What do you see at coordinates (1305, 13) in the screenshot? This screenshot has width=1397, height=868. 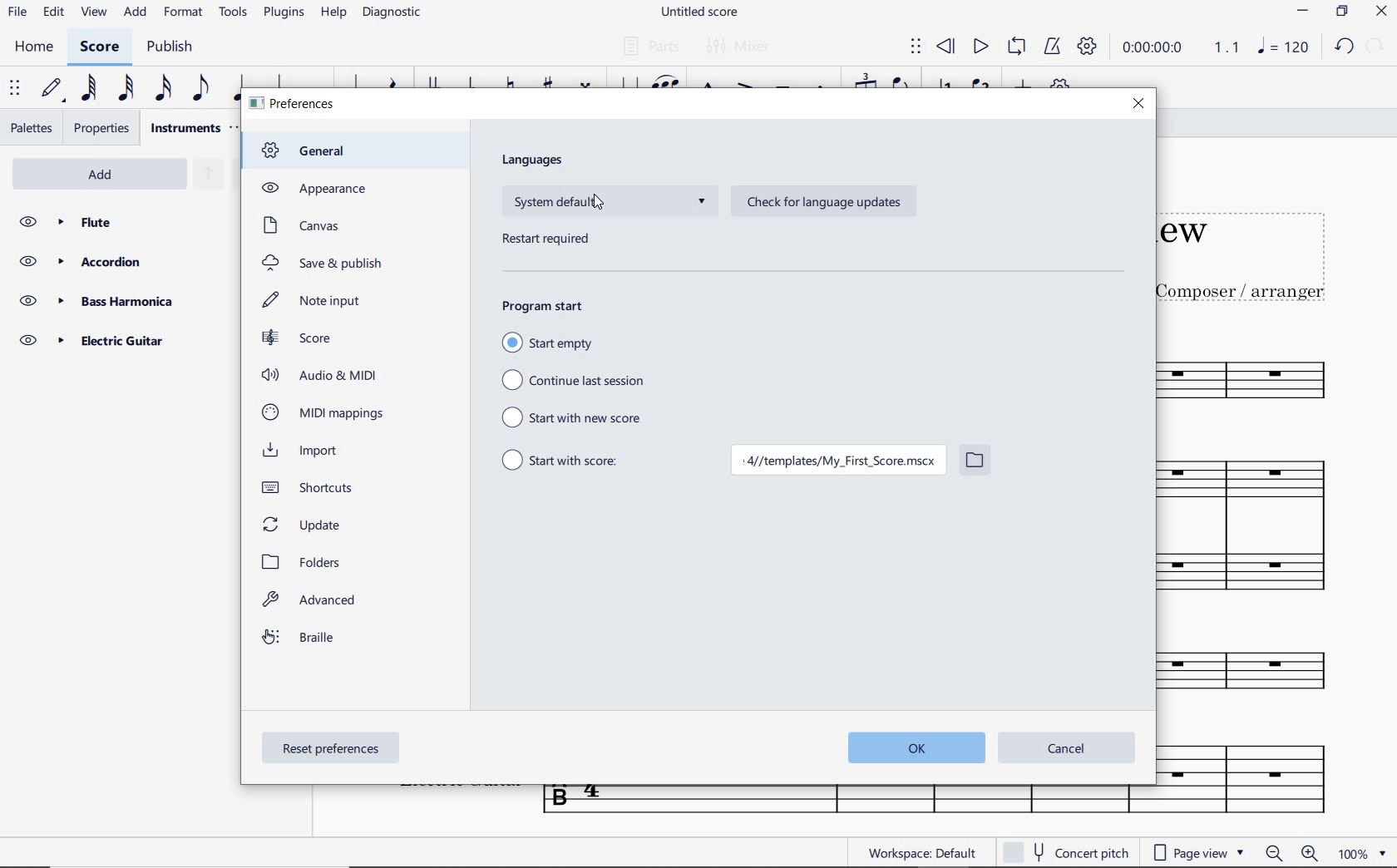 I see `MINIMIZE` at bounding box center [1305, 13].